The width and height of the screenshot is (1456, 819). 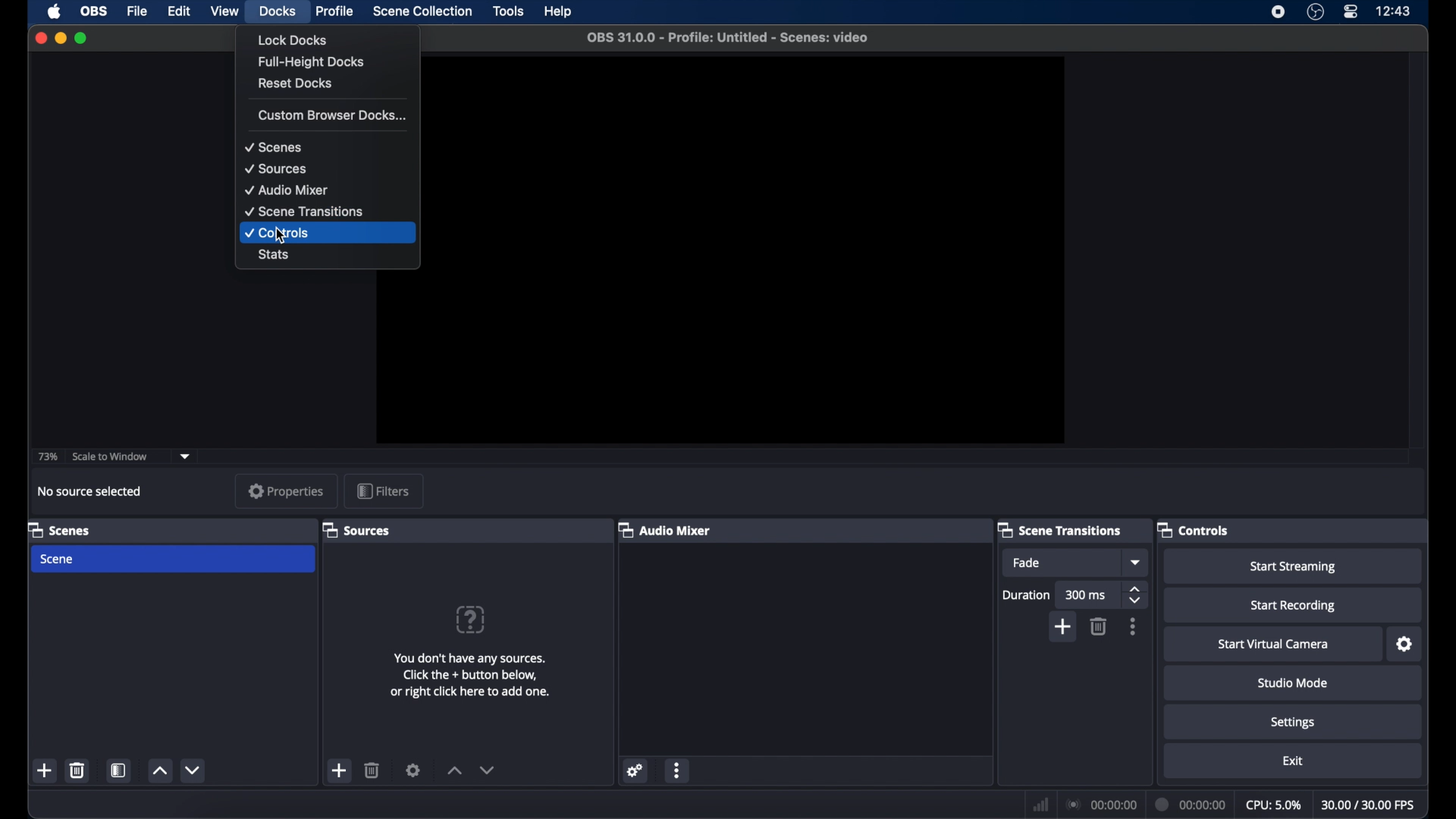 I want to click on add, so click(x=45, y=770).